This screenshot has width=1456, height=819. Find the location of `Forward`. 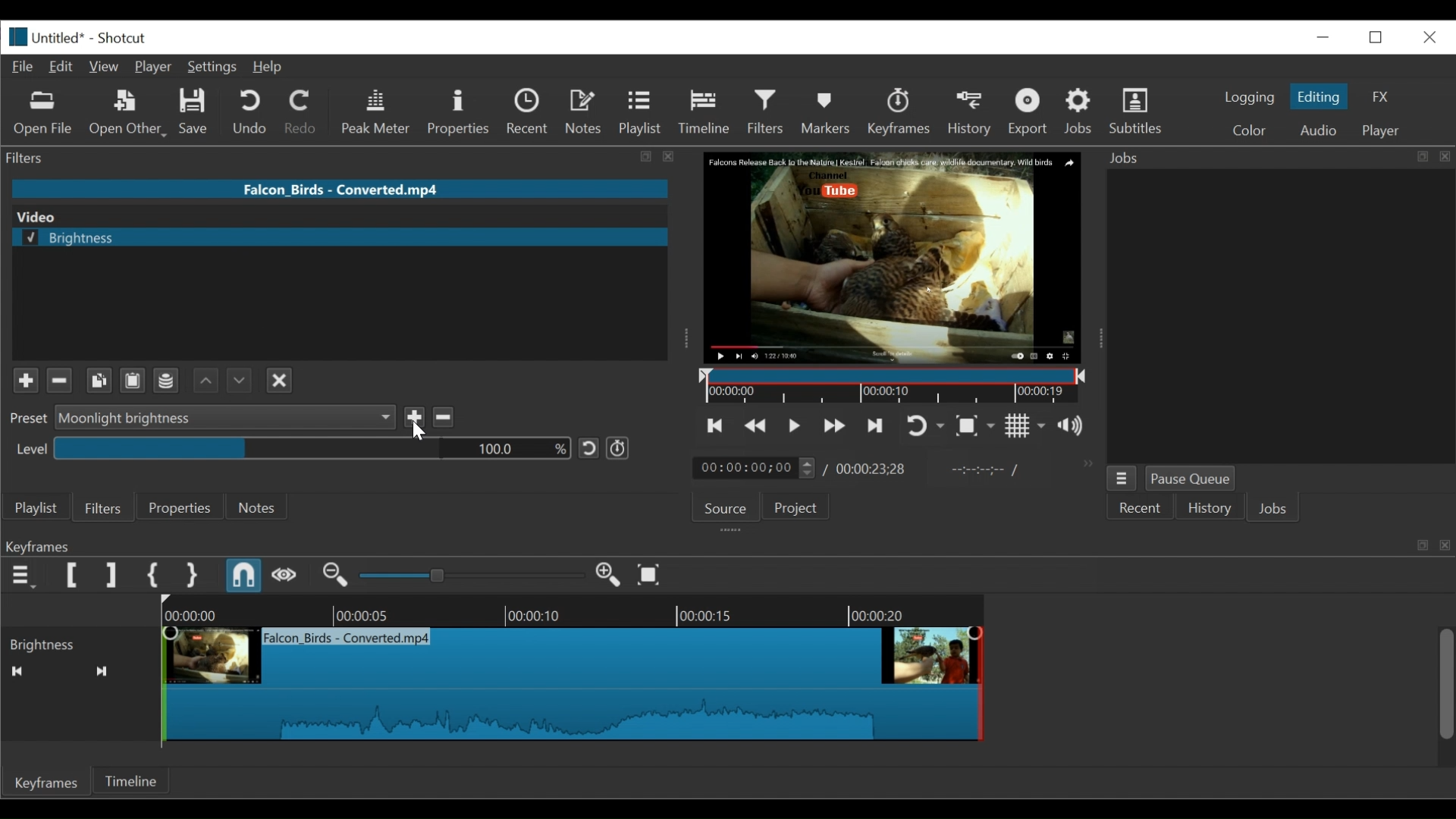

Forward is located at coordinates (102, 673).